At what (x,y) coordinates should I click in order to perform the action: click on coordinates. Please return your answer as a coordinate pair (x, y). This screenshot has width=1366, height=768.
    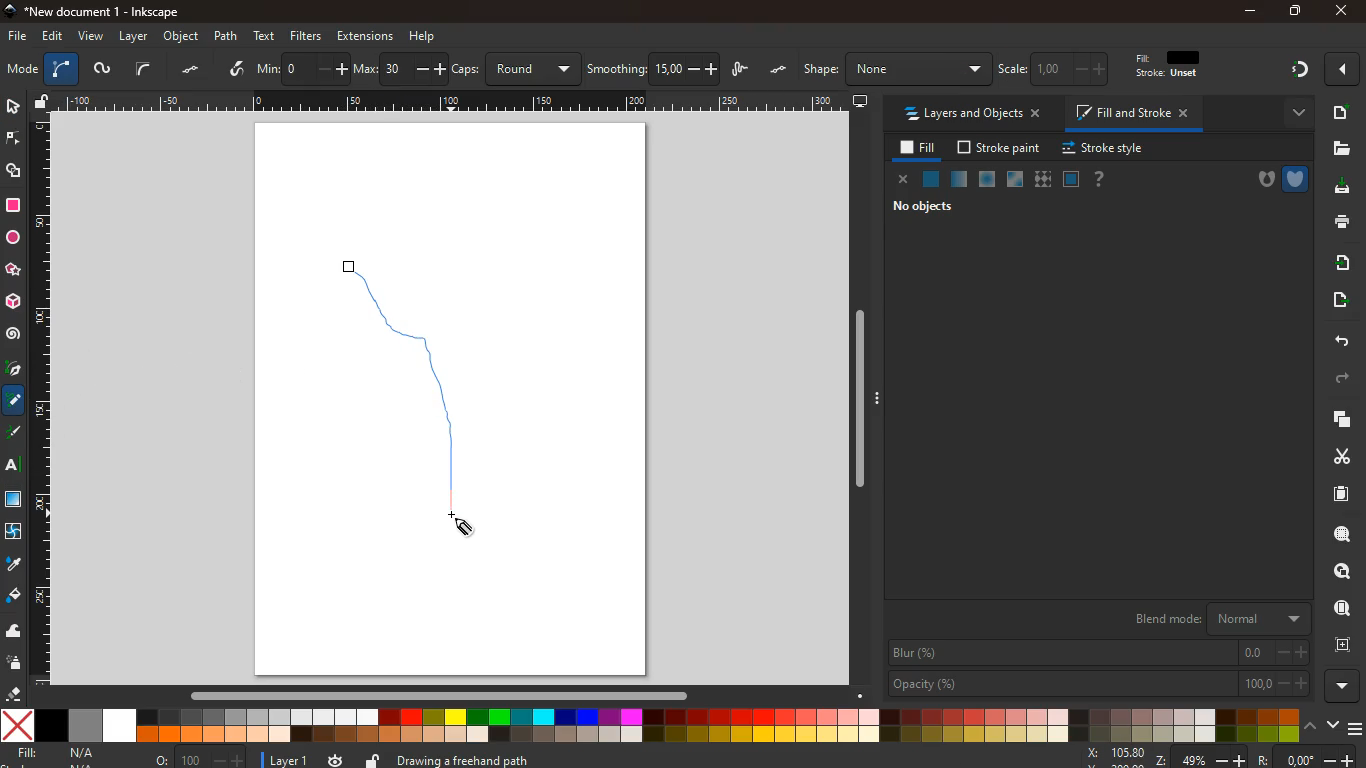
    Looking at the image, I should click on (582, 69).